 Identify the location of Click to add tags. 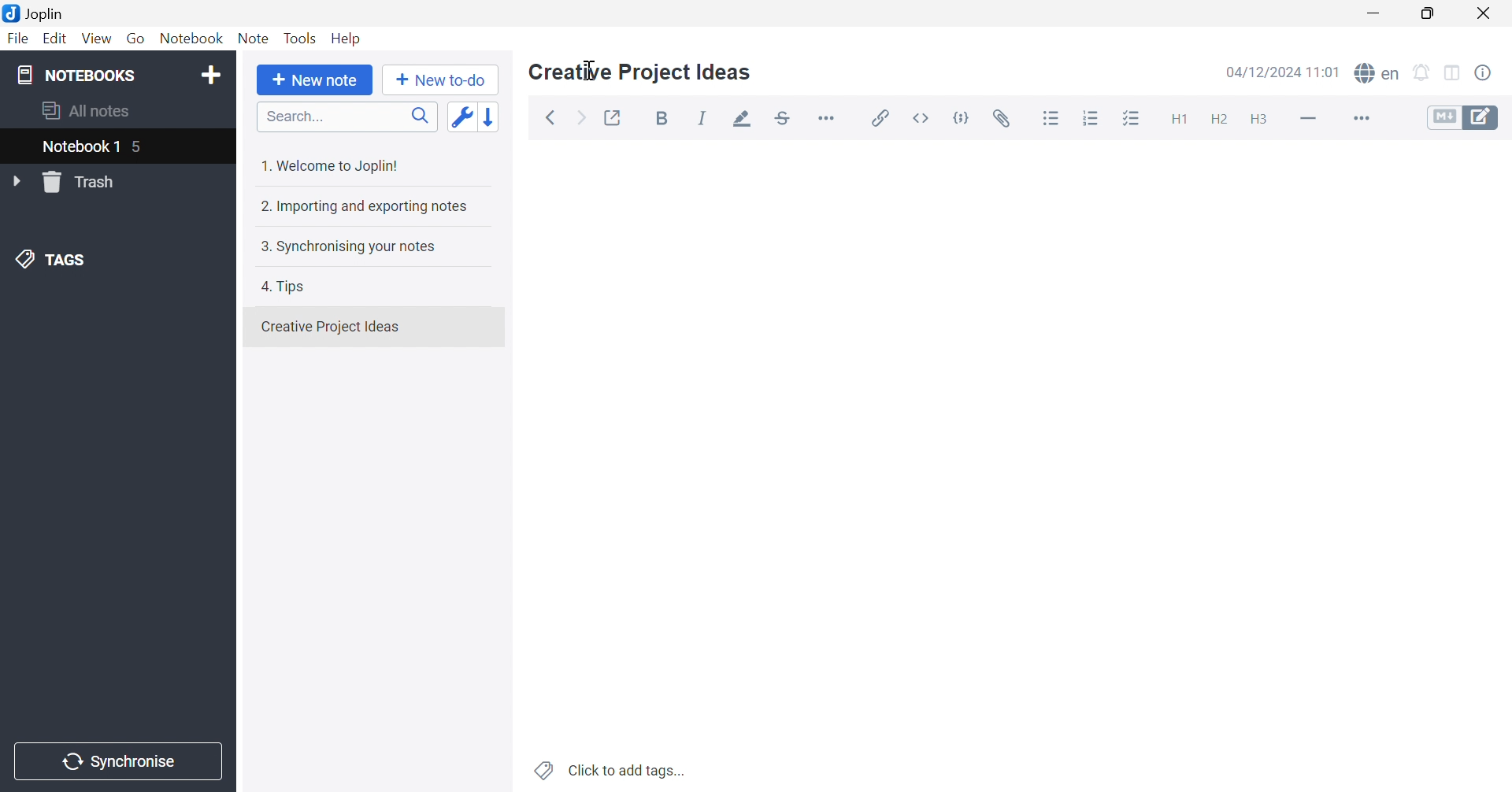
(607, 770).